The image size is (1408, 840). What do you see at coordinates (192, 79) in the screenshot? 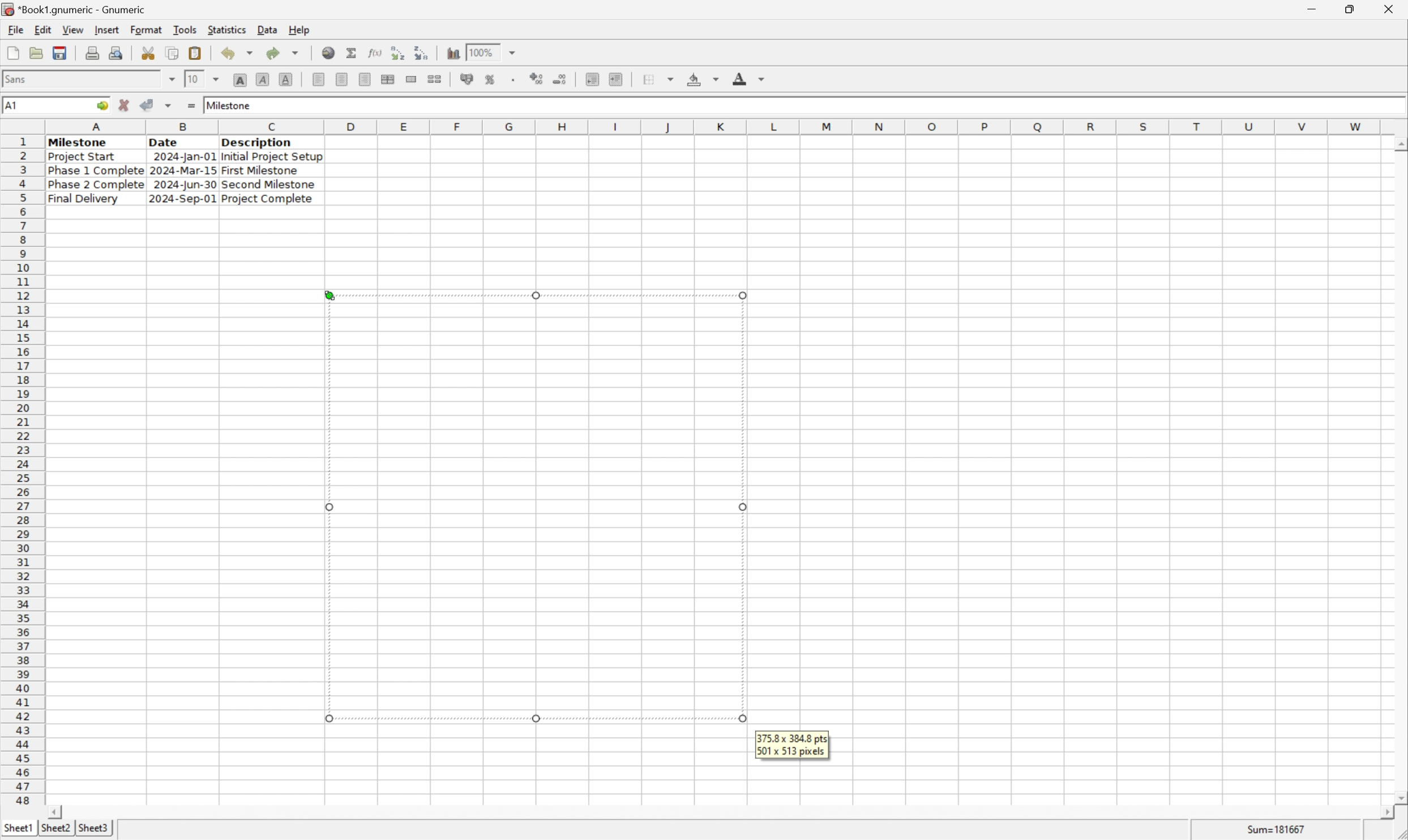
I see `10` at bounding box center [192, 79].